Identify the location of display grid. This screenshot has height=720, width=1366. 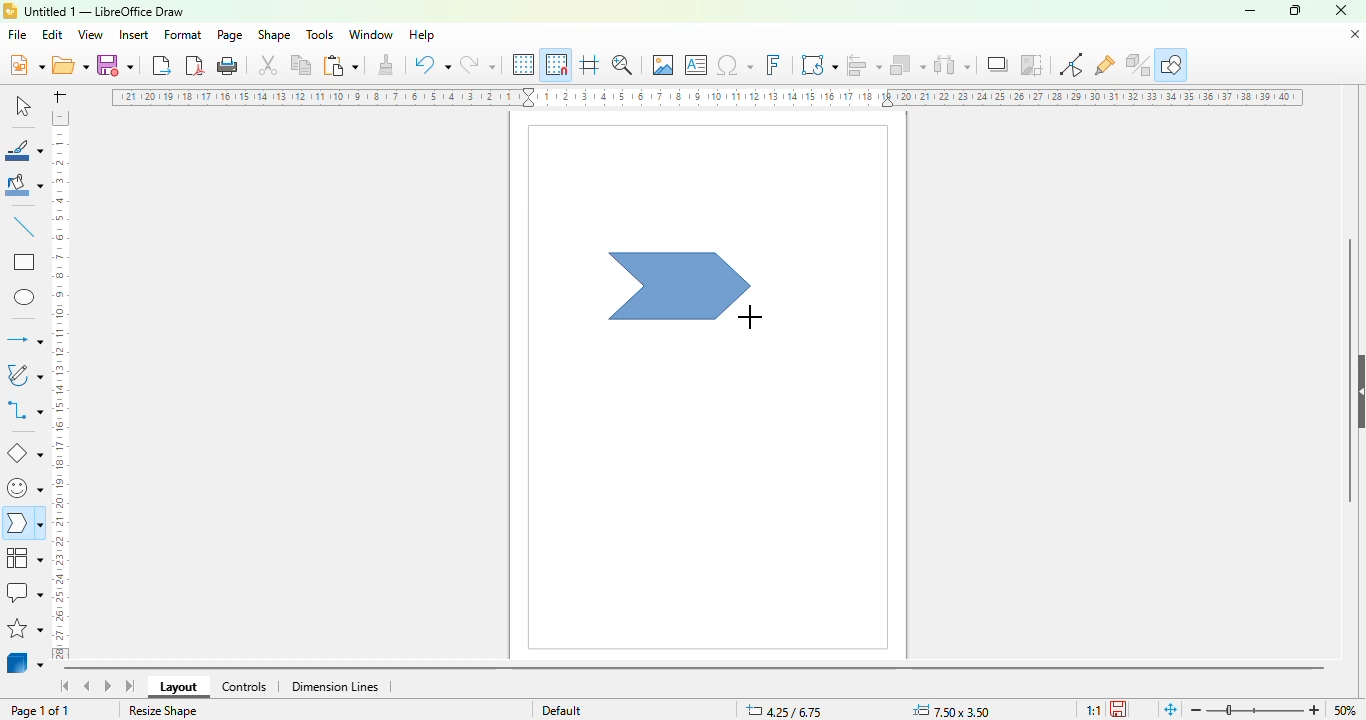
(525, 65).